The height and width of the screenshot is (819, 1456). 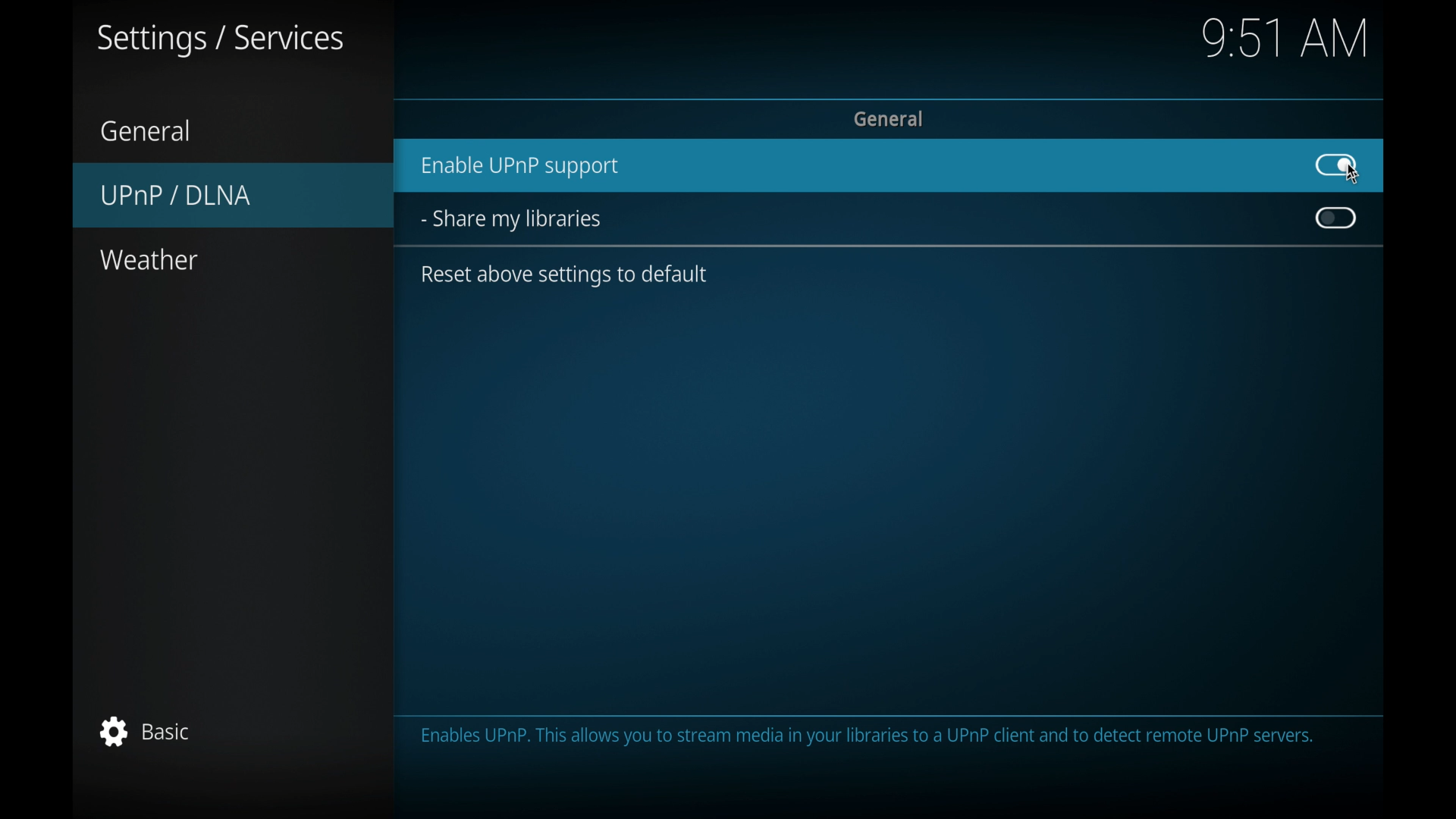 I want to click on reset above settings to default, so click(x=565, y=276).